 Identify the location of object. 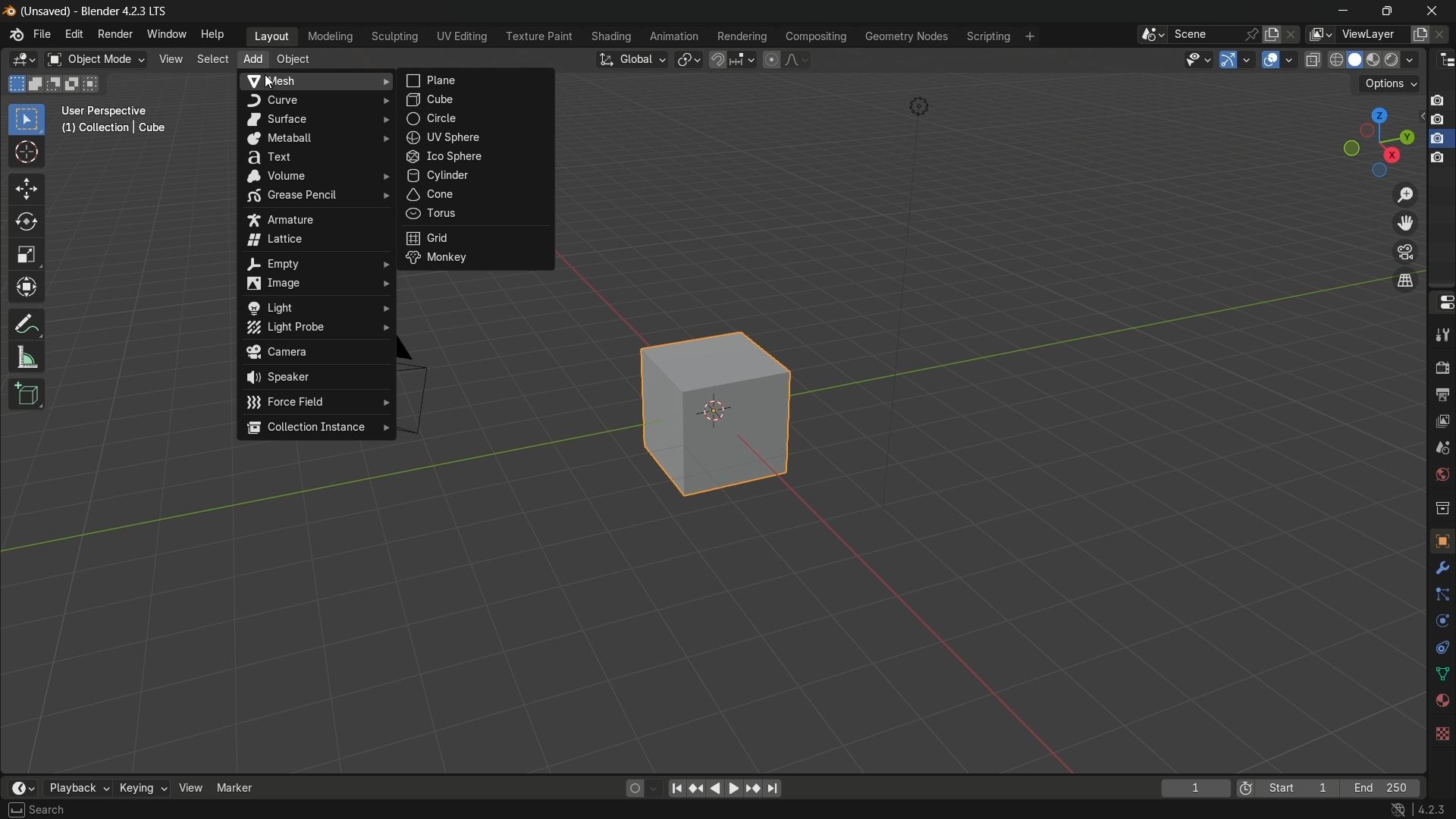
(293, 59).